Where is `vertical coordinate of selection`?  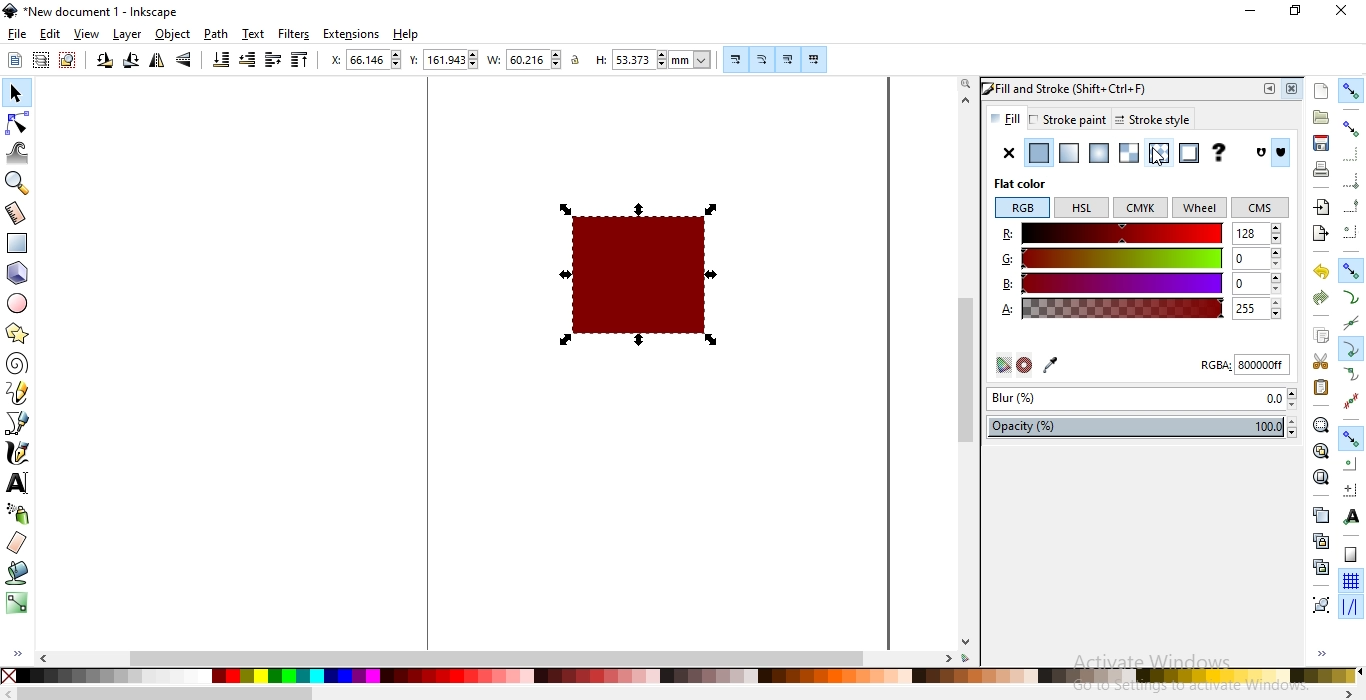 vertical coordinate of selection is located at coordinates (414, 60).